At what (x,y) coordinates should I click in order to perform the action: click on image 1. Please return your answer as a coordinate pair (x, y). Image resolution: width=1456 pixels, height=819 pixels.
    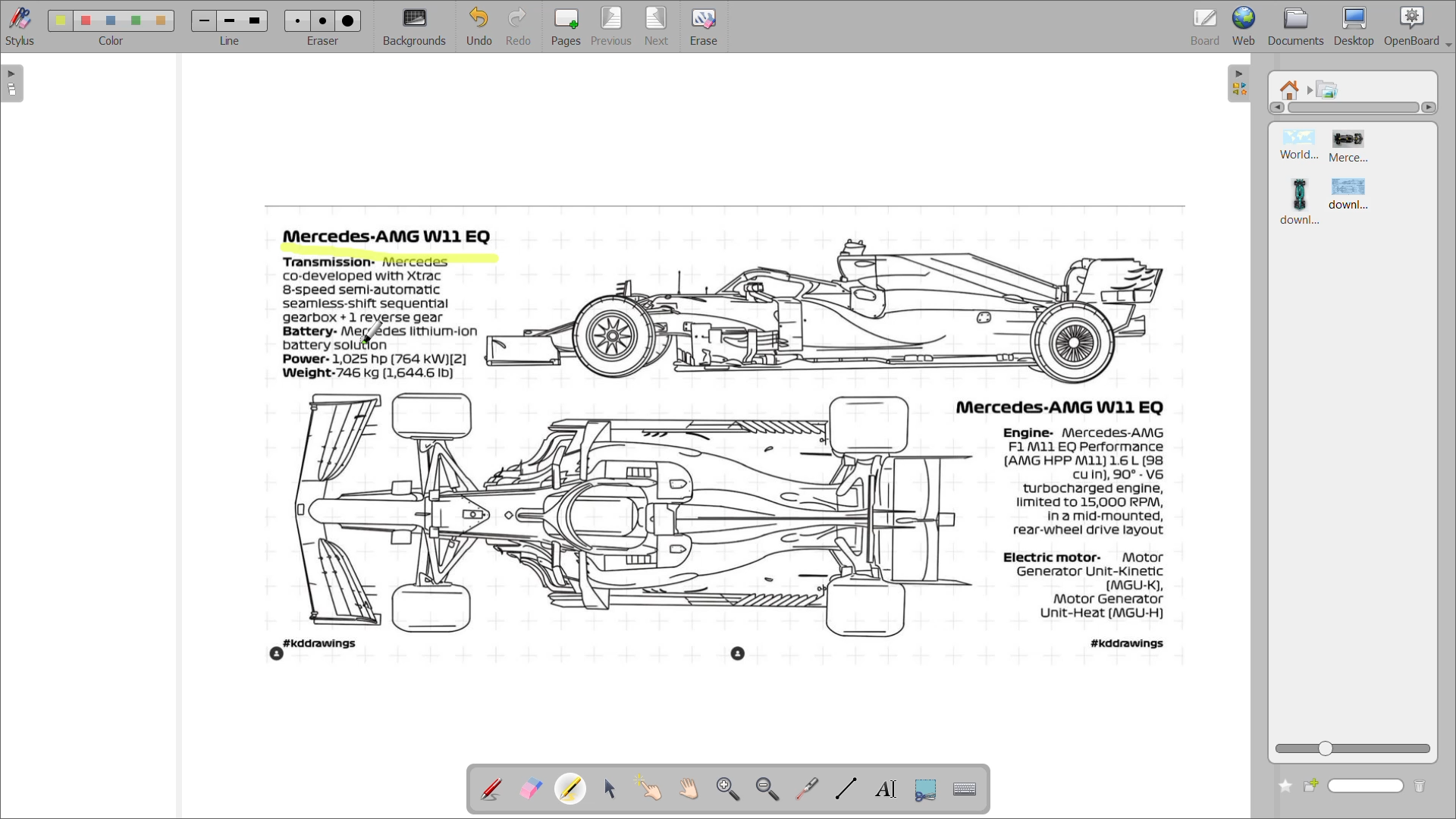
    Looking at the image, I should click on (1302, 145).